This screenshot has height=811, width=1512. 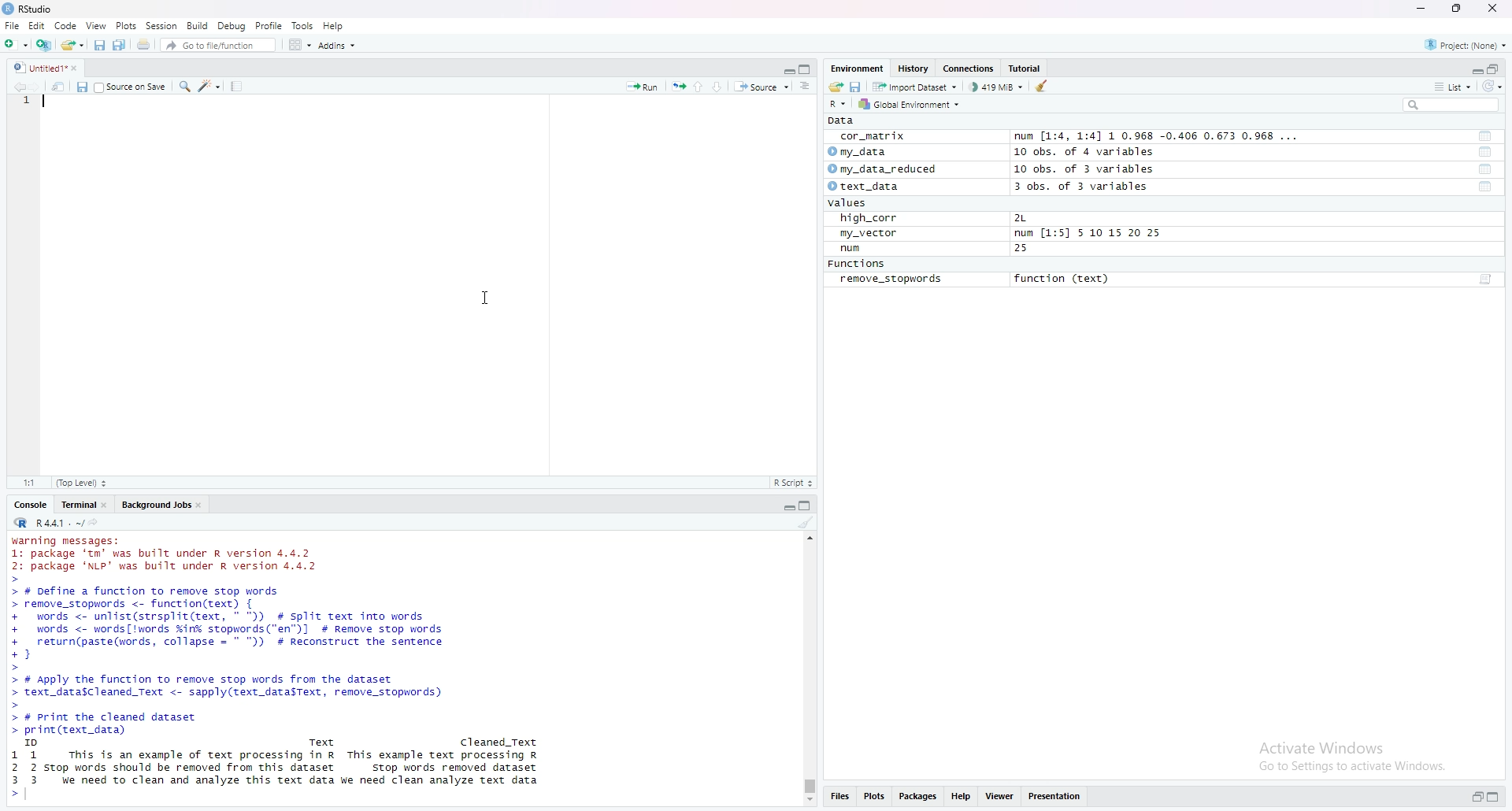 What do you see at coordinates (785, 71) in the screenshot?
I see `minimize` at bounding box center [785, 71].